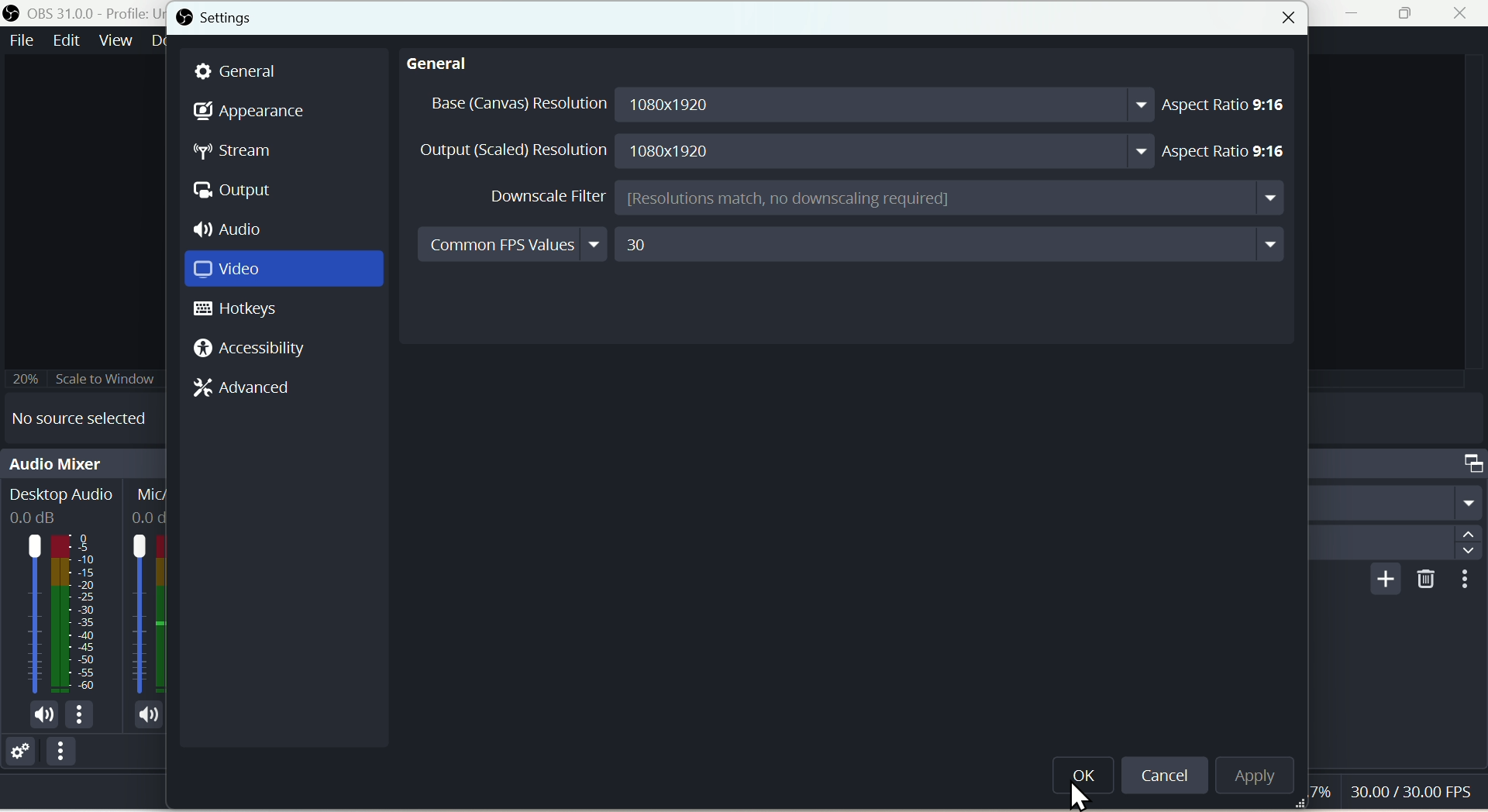 This screenshot has width=1488, height=812. What do you see at coordinates (235, 153) in the screenshot?
I see `Stream` at bounding box center [235, 153].